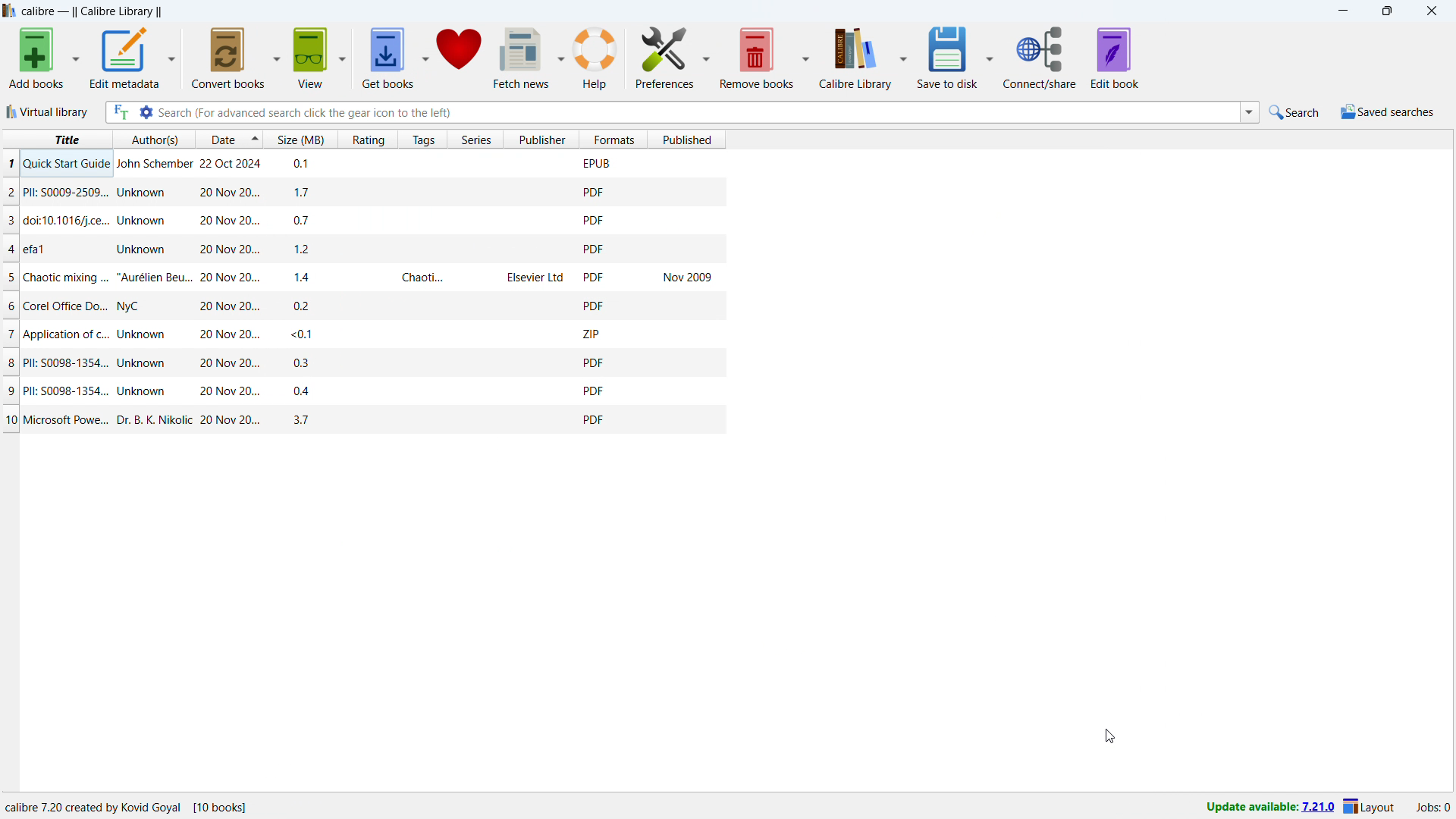 The height and width of the screenshot is (819, 1456). I want to click on edit book, so click(1114, 58).